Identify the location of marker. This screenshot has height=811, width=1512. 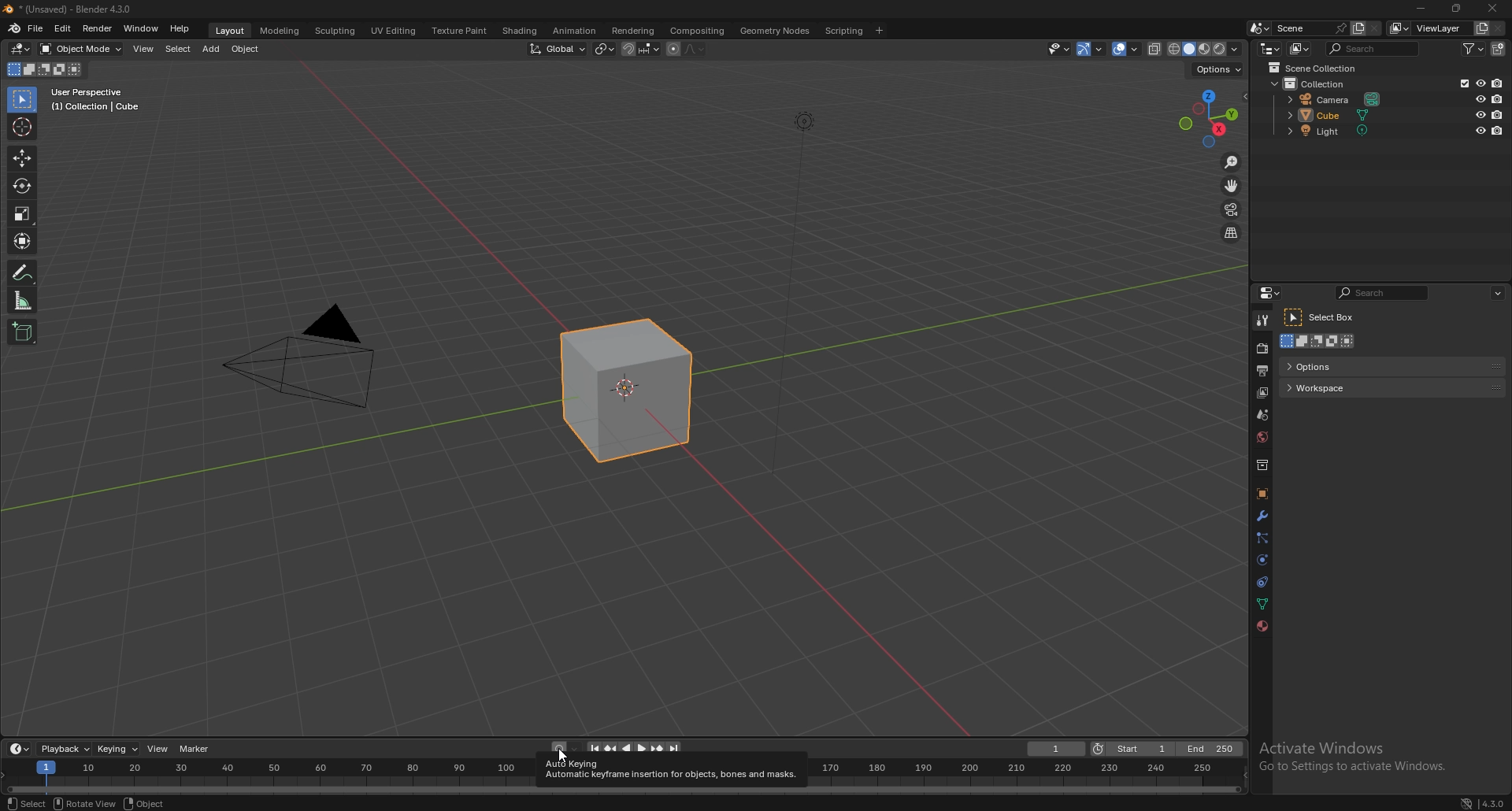
(198, 750).